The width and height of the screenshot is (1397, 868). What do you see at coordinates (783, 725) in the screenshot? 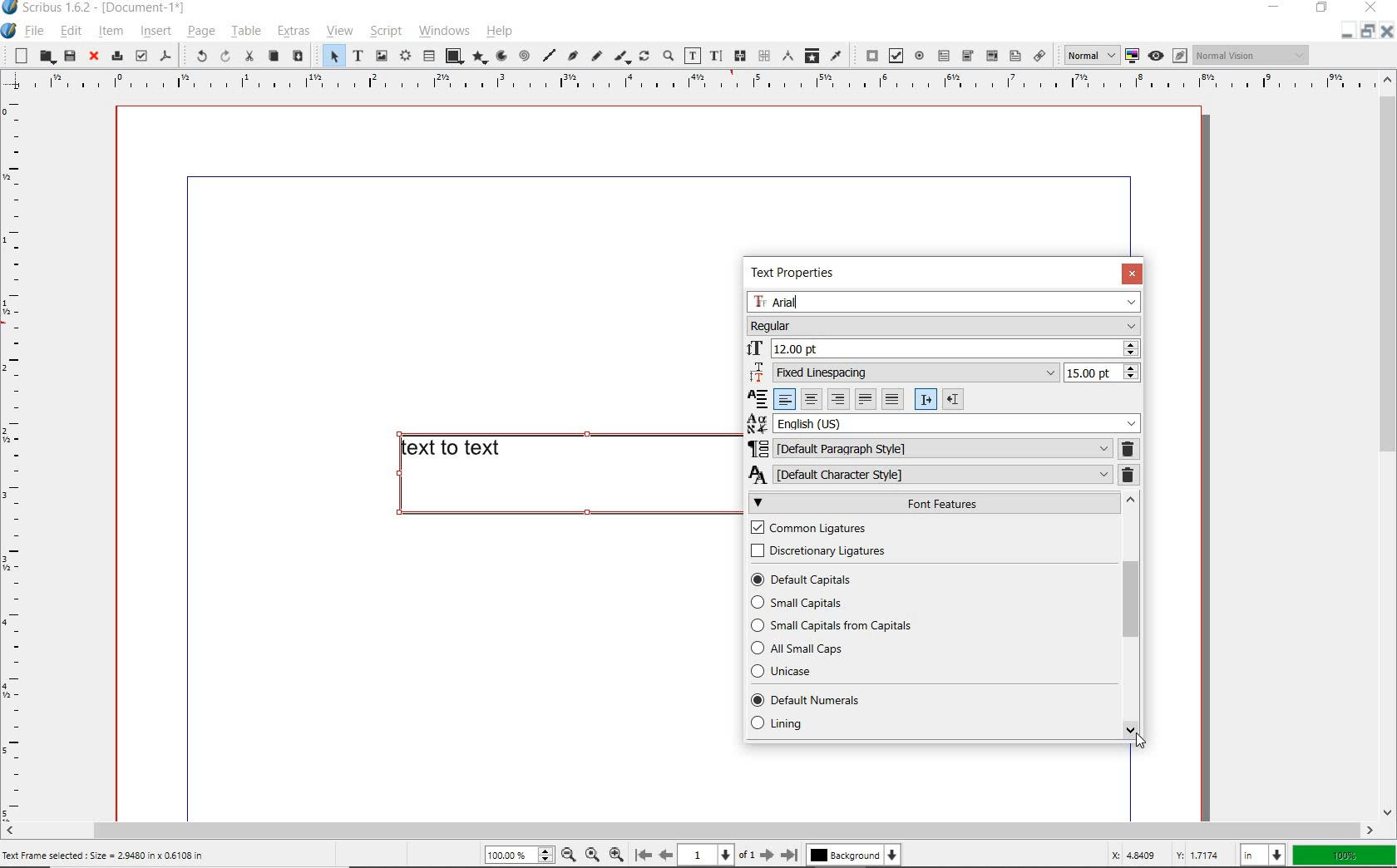
I see `LINING` at bounding box center [783, 725].